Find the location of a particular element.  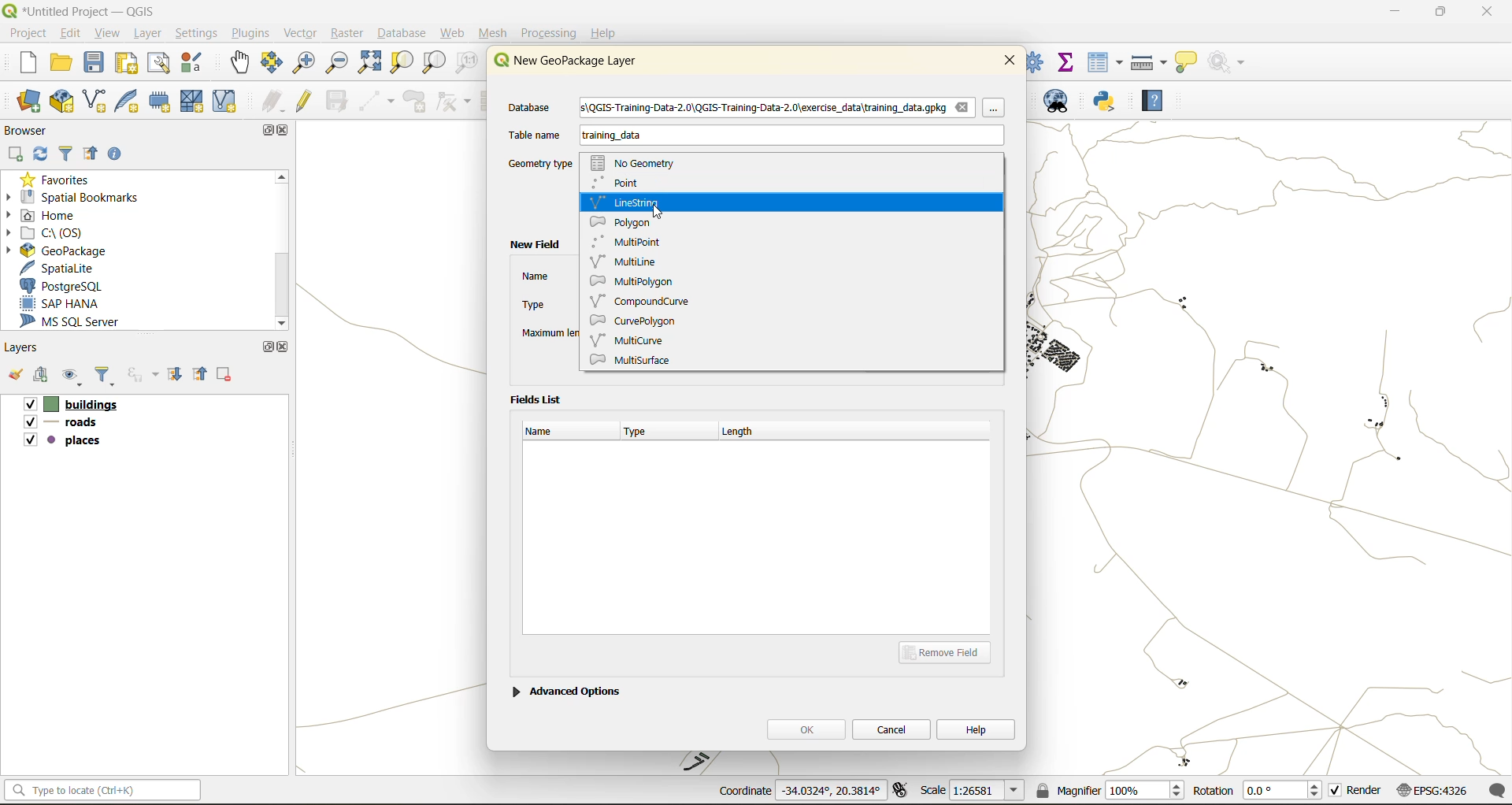

new geopackage  is located at coordinates (62, 102).